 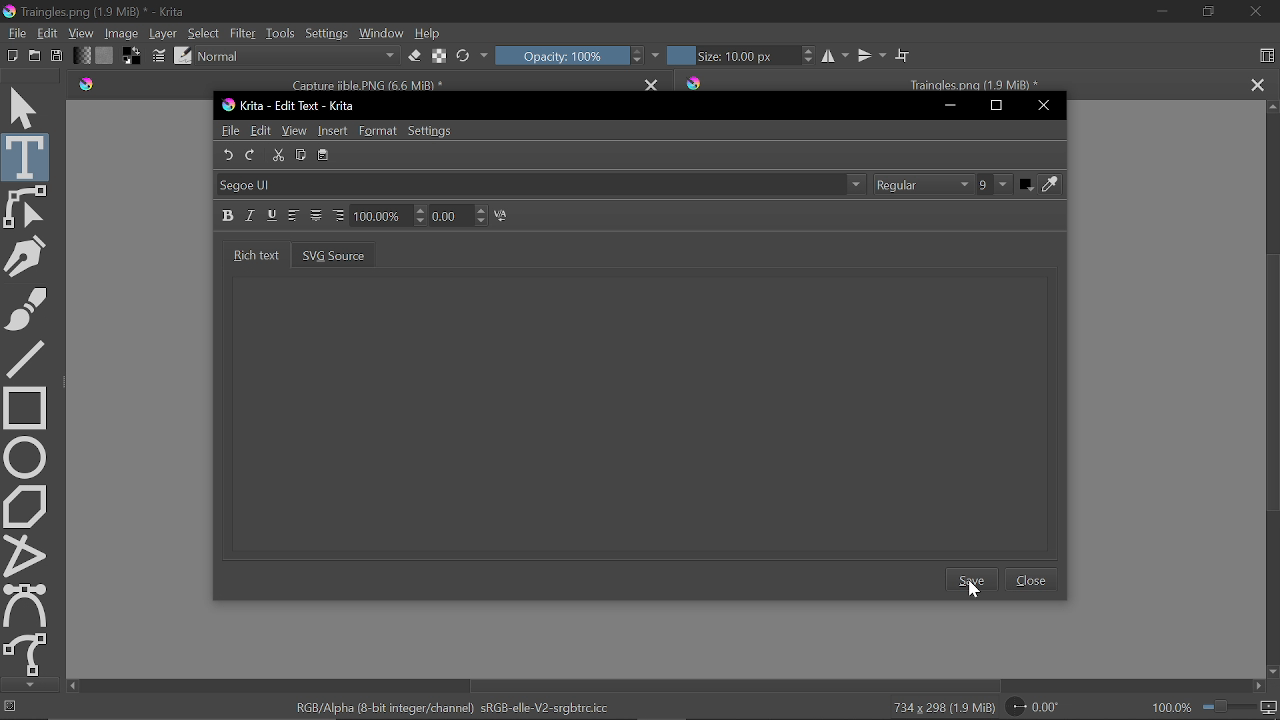 I want to click on File, so click(x=18, y=32).